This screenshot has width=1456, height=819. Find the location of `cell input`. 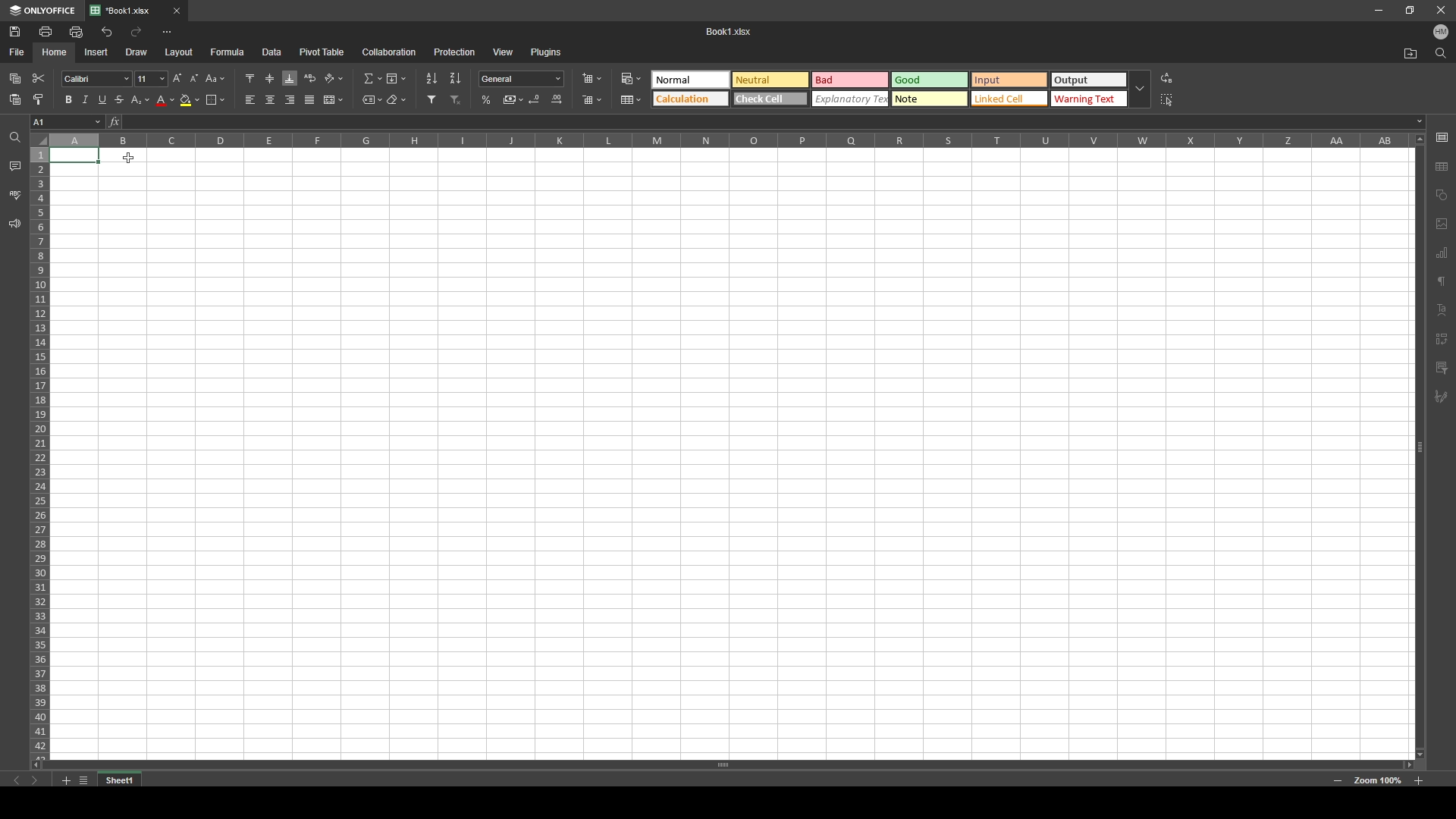

cell input is located at coordinates (767, 122).